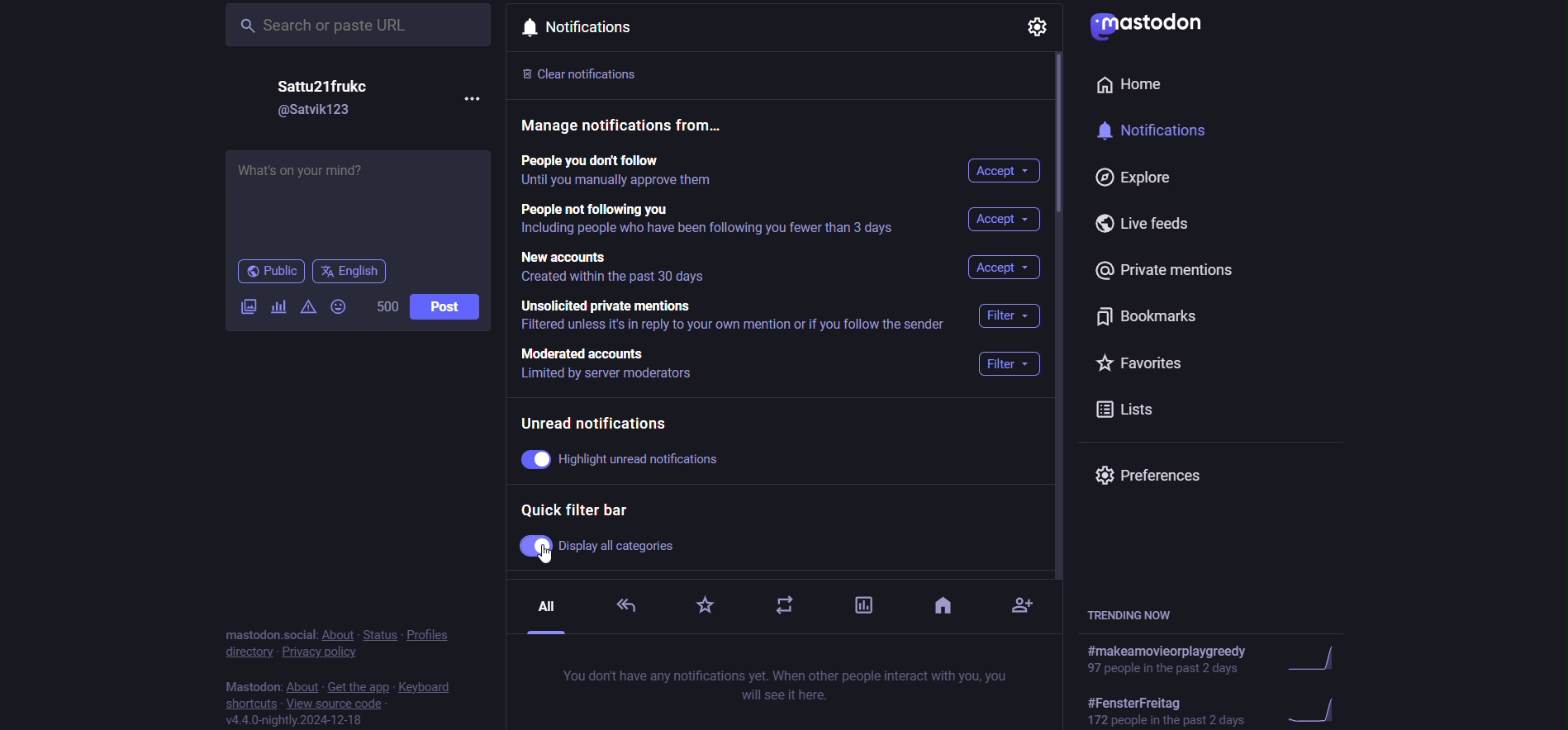 The height and width of the screenshot is (730, 1568). Describe the element at coordinates (583, 29) in the screenshot. I see `notifications` at that location.